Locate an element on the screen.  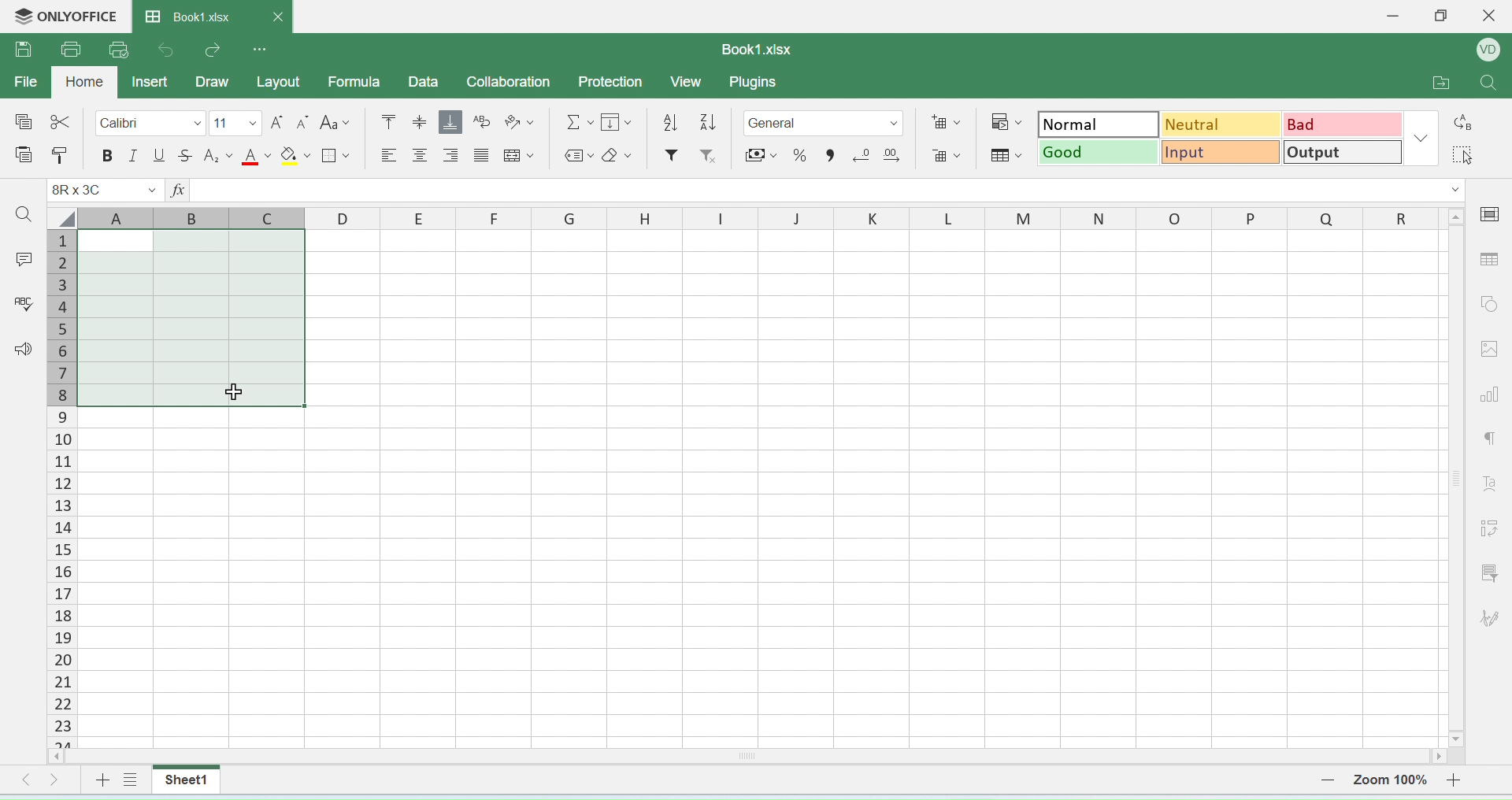
move right is located at coordinates (55, 782).